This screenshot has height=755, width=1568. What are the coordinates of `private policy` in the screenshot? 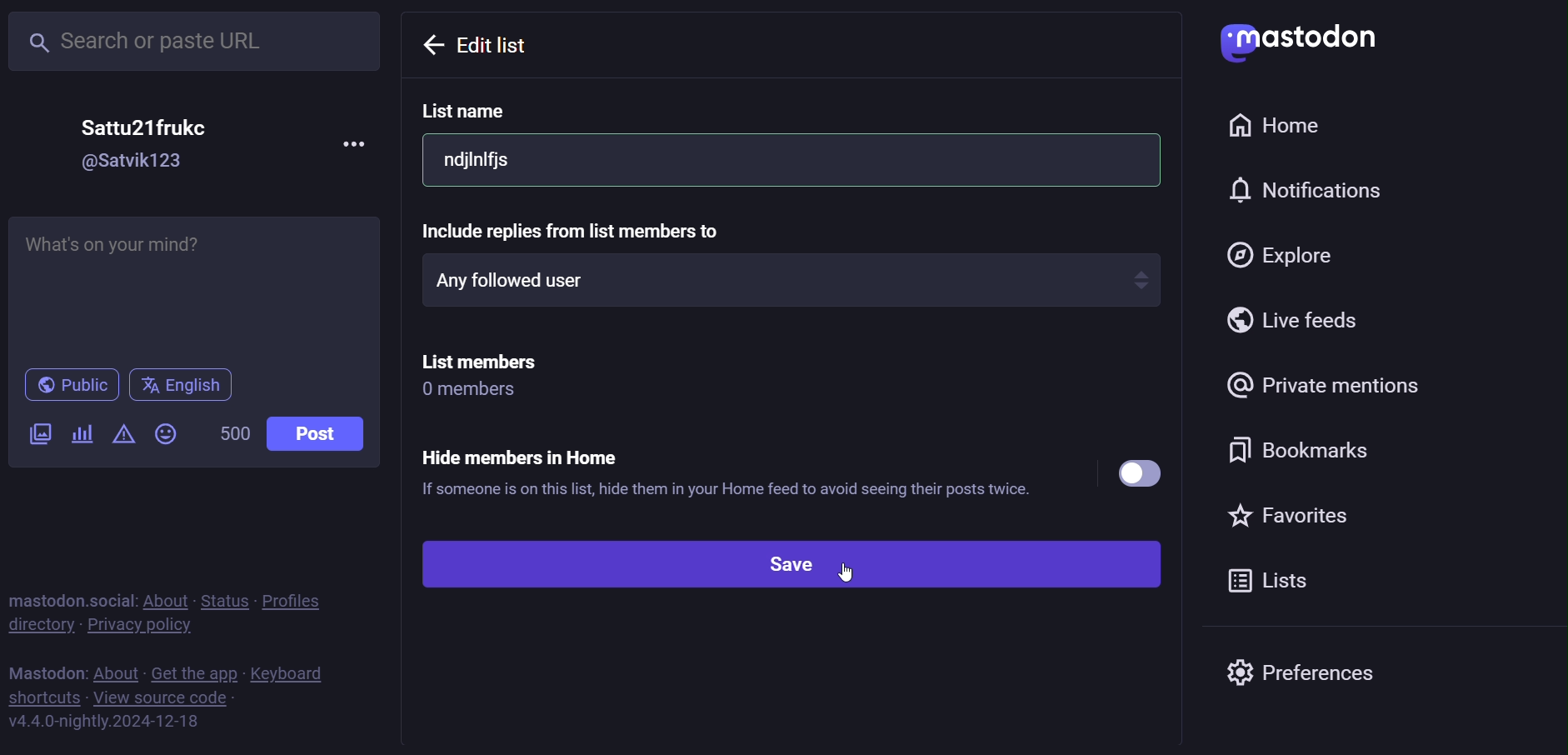 It's located at (144, 626).